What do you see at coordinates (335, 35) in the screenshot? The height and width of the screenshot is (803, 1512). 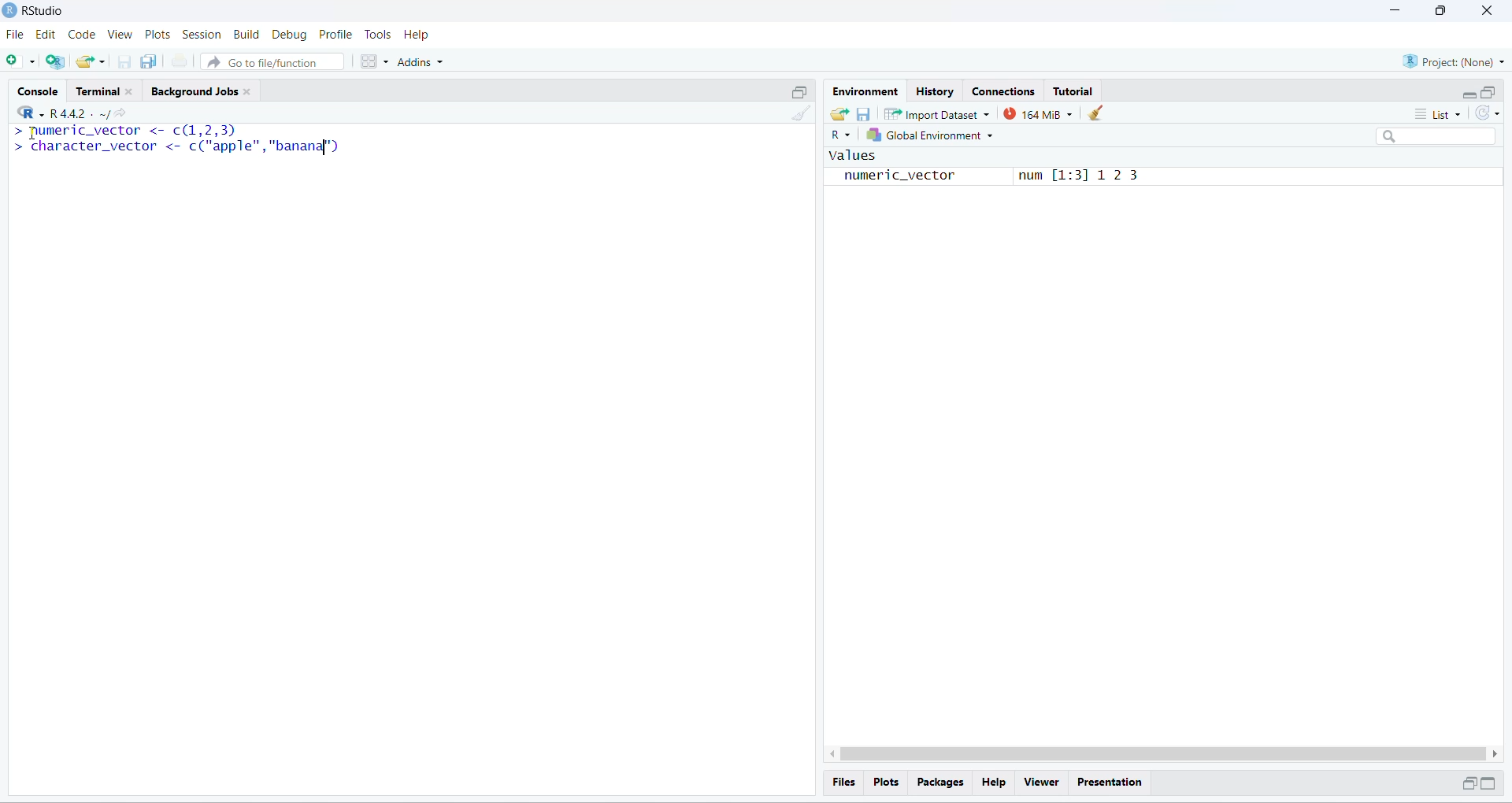 I see `Profile` at bounding box center [335, 35].